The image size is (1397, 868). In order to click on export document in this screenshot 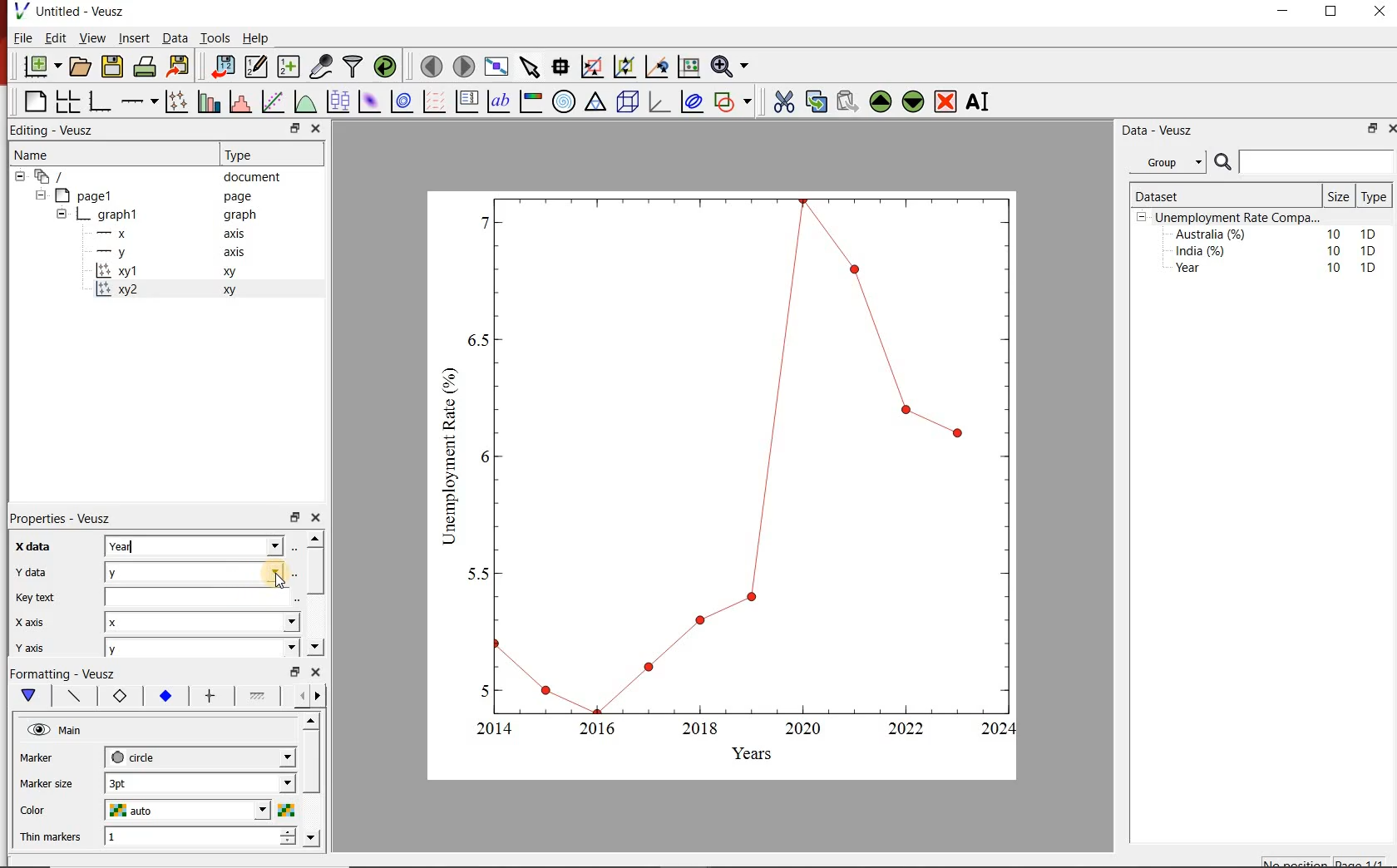, I will do `click(180, 65)`.